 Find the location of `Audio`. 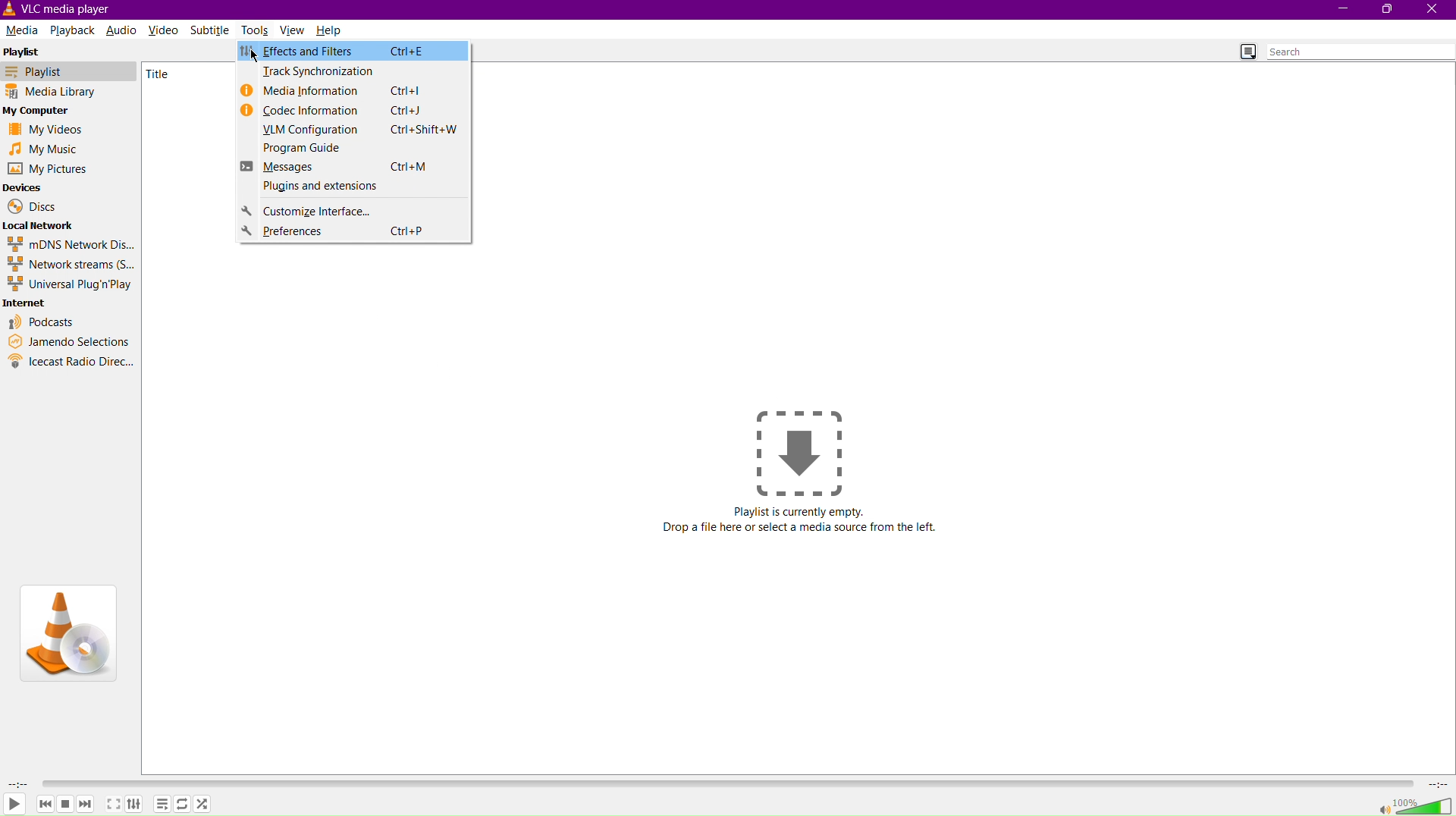

Audio is located at coordinates (121, 30).